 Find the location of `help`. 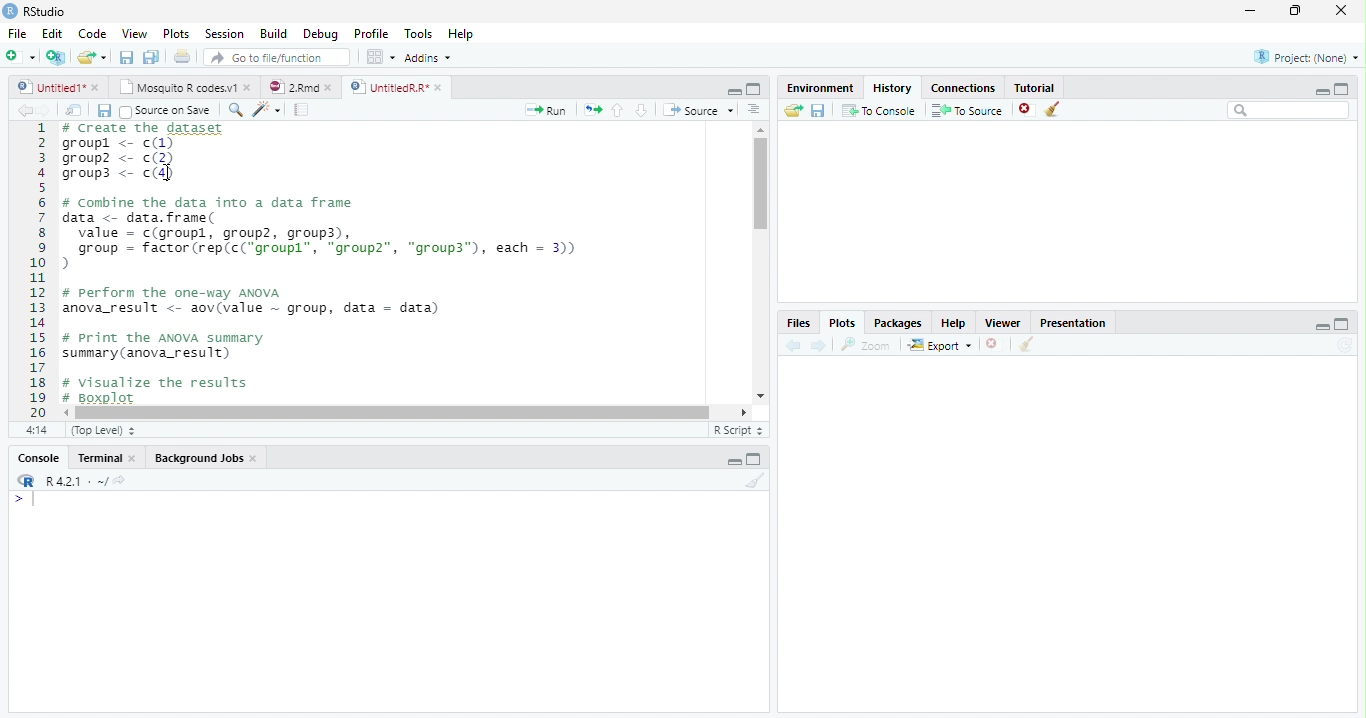

help is located at coordinates (954, 323).